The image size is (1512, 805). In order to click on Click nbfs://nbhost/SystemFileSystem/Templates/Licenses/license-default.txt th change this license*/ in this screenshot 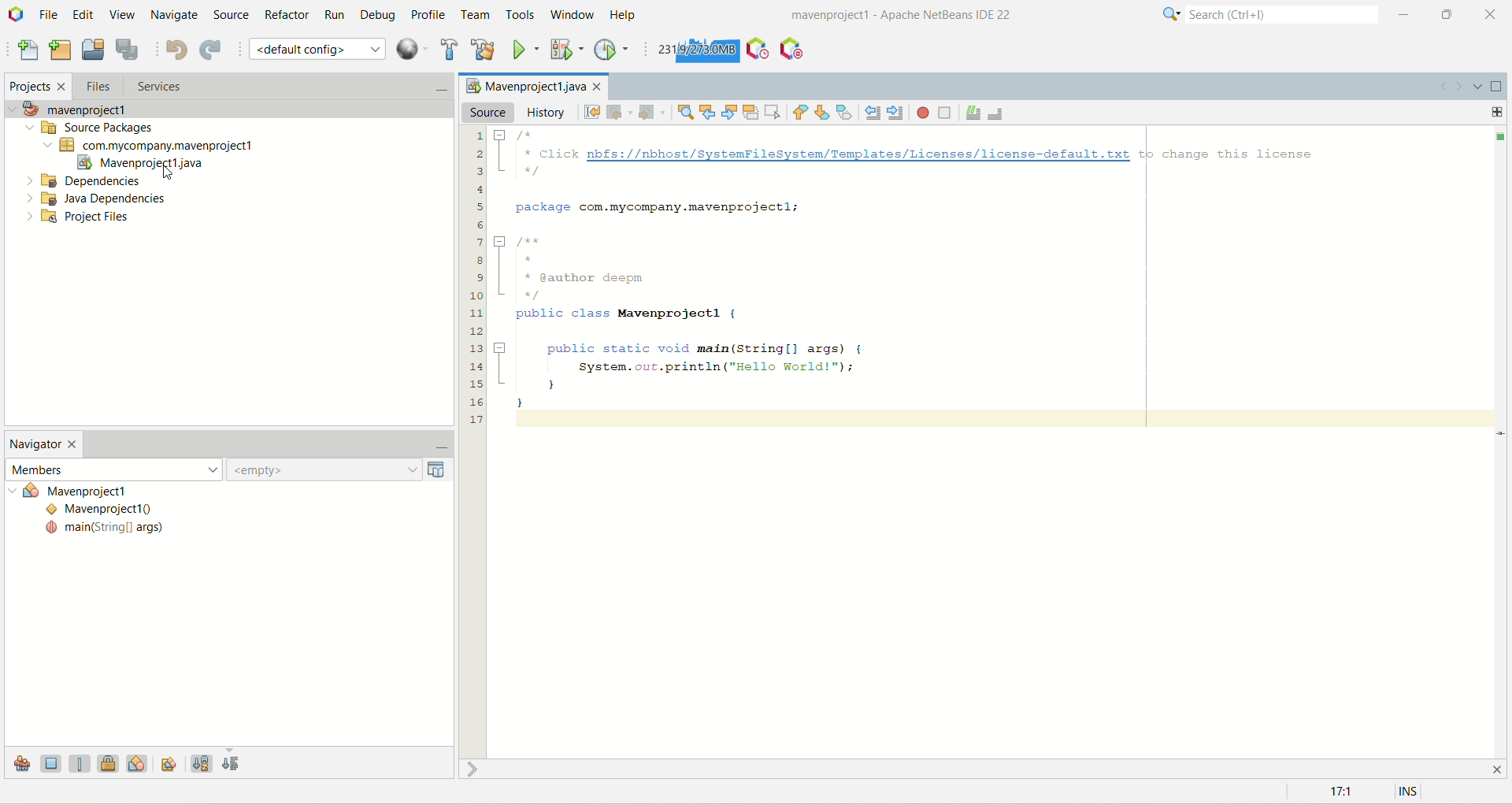, I will do `click(910, 154)`.